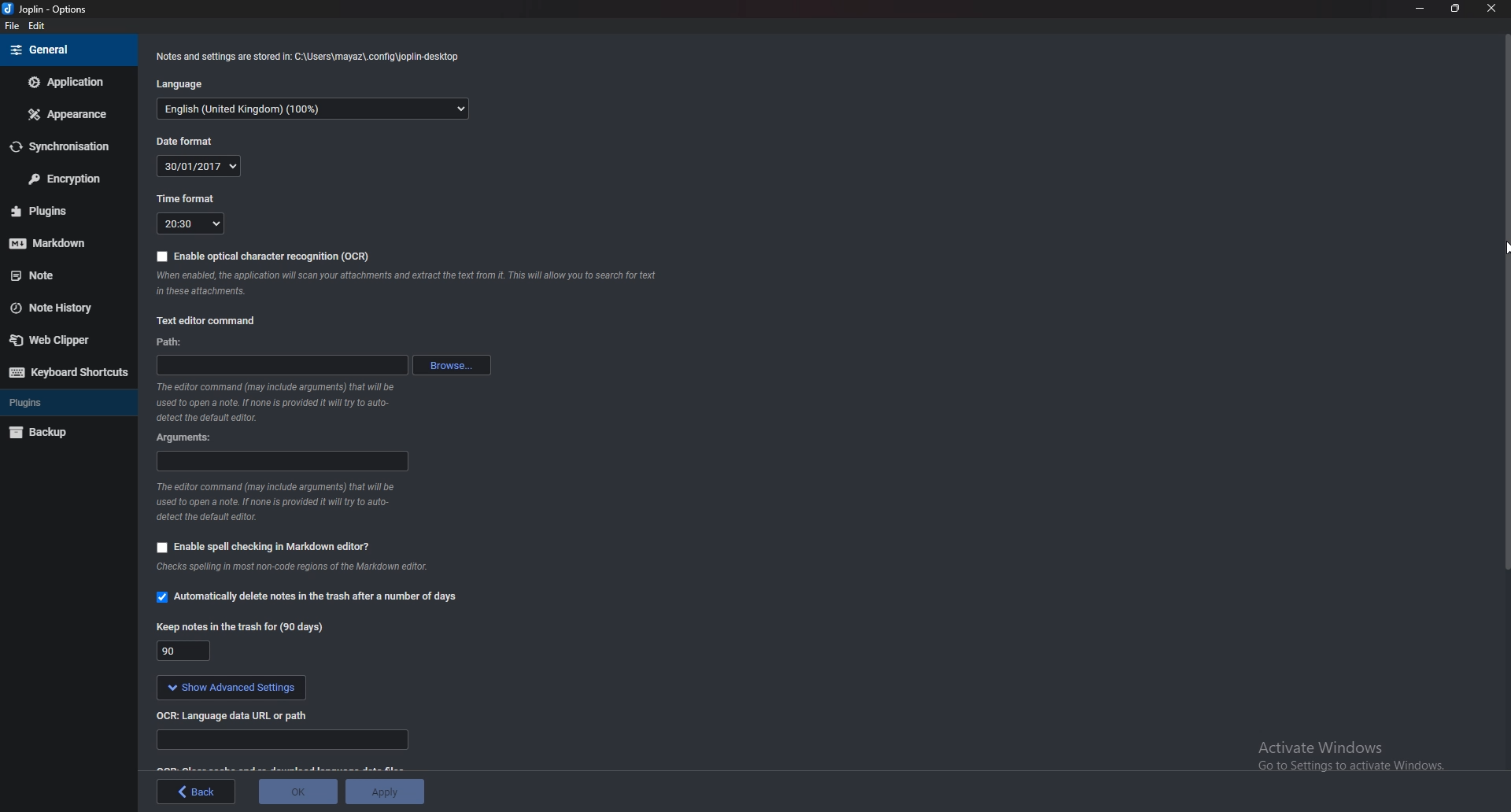 This screenshot has width=1511, height=812. Describe the element at coordinates (304, 567) in the screenshot. I see `Info` at that location.